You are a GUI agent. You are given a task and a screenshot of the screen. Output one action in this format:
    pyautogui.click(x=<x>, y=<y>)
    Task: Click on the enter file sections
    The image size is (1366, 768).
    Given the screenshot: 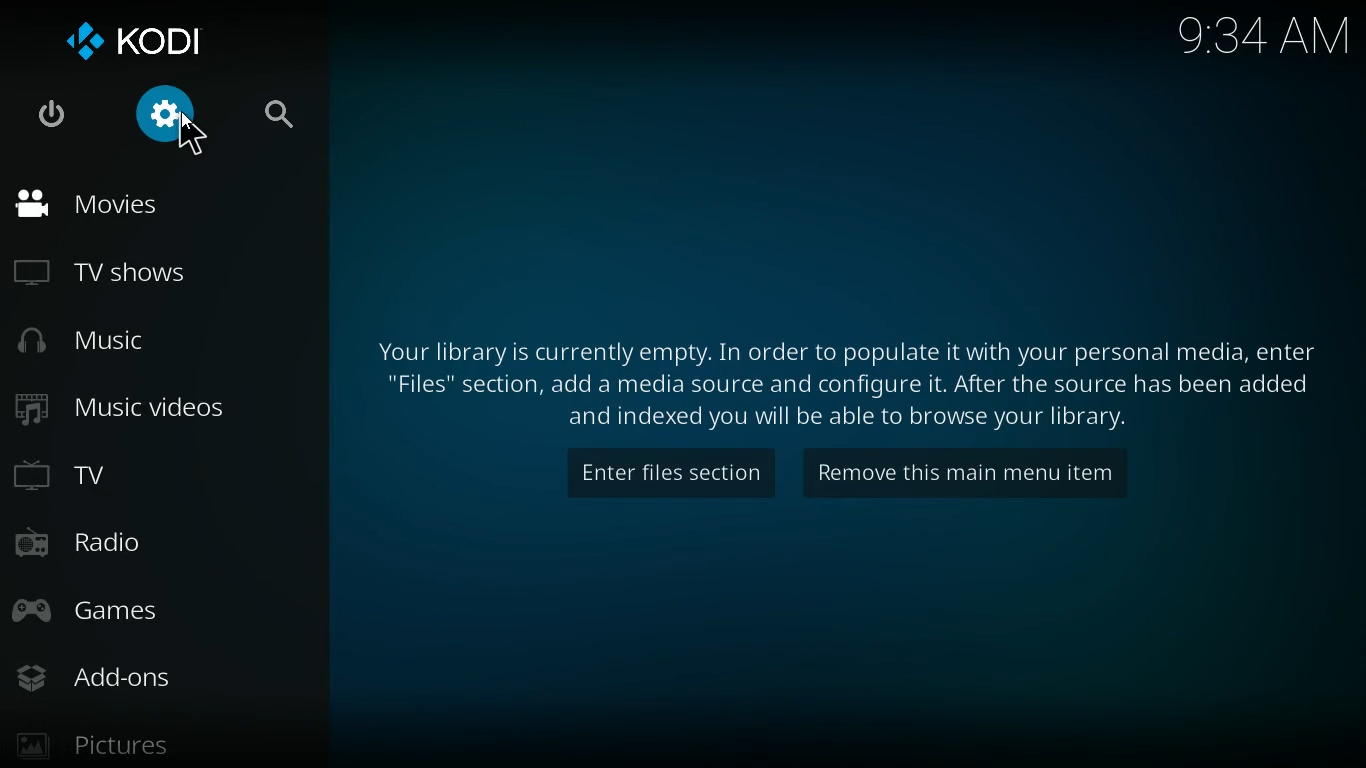 What is the action you would take?
    pyautogui.click(x=671, y=478)
    